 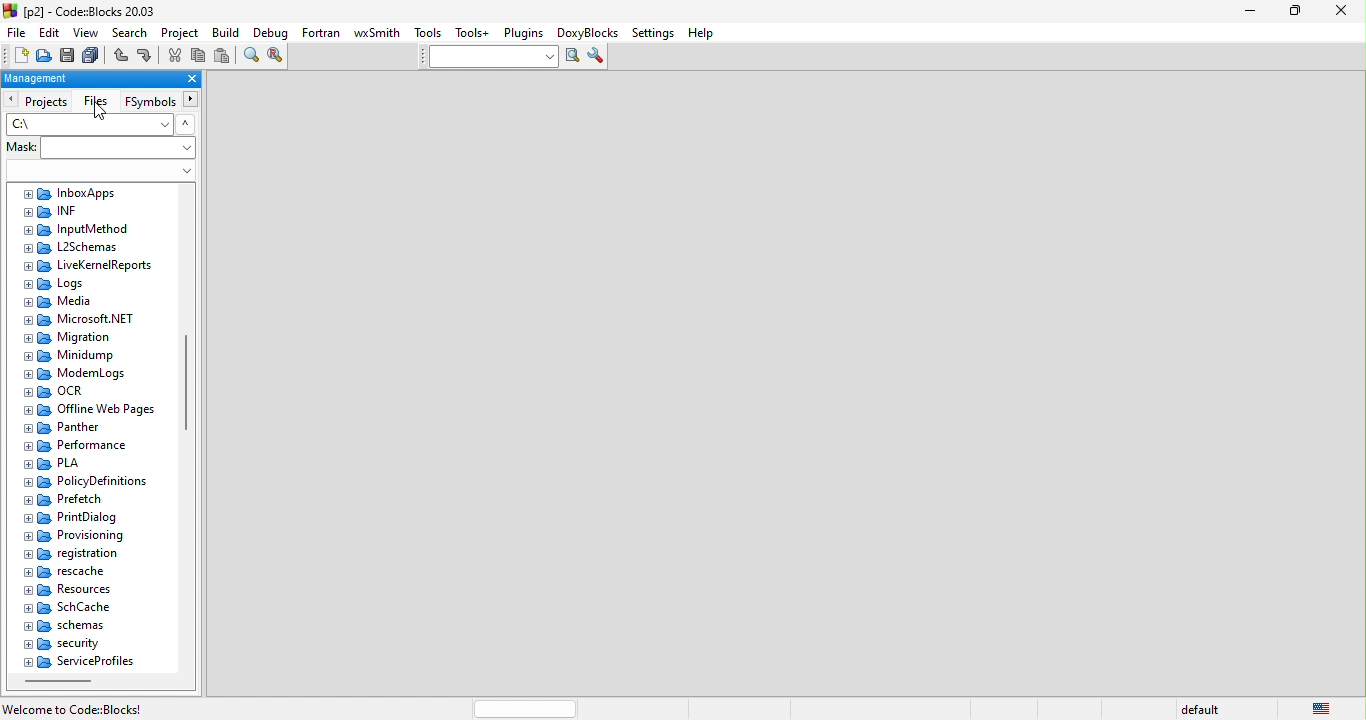 What do you see at coordinates (82, 444) in the screenshot?
I see `performance` at bounding box center [82, 444].